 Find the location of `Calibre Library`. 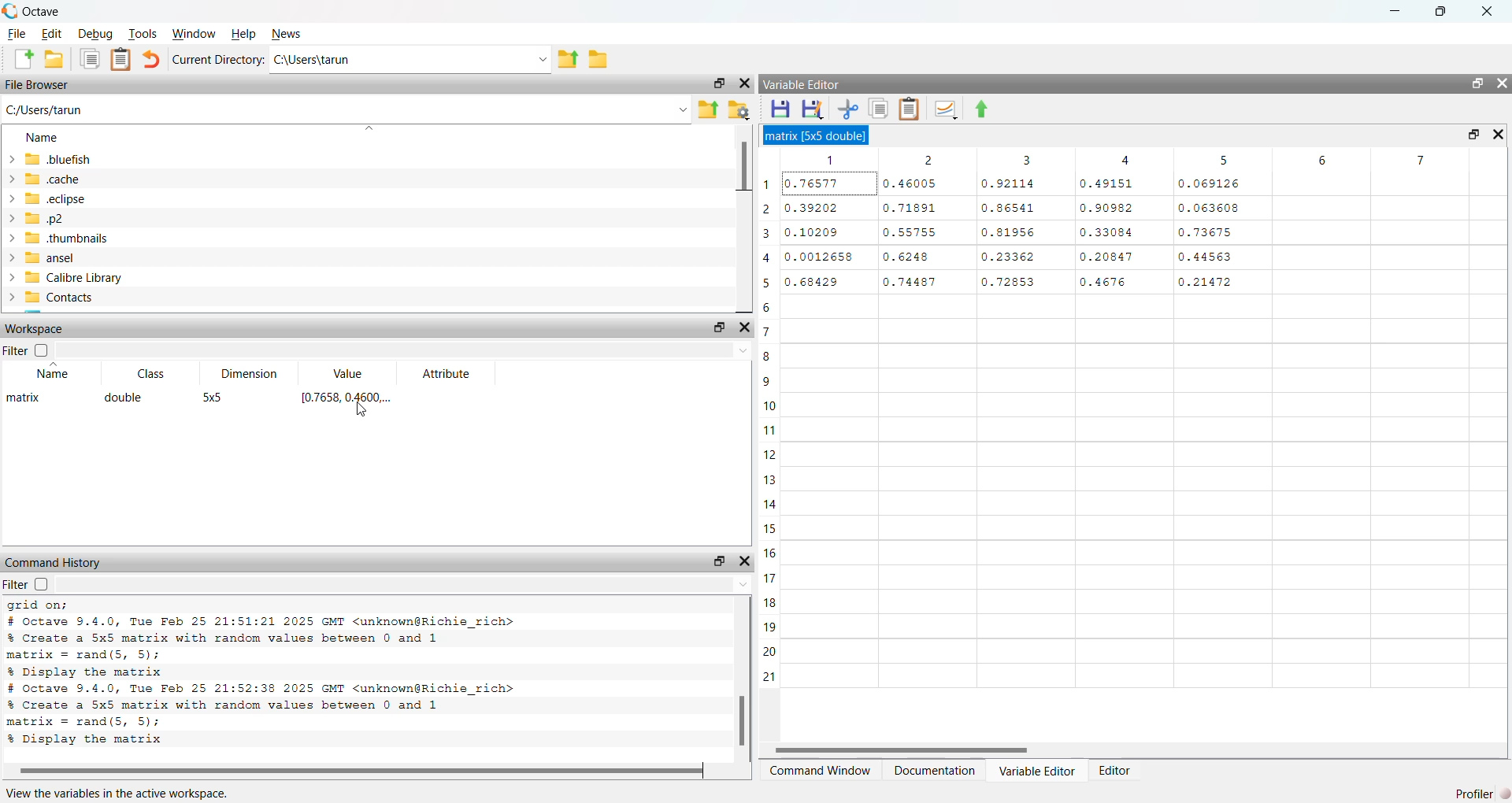

Calibre Library is located at coordinates (75, 276).